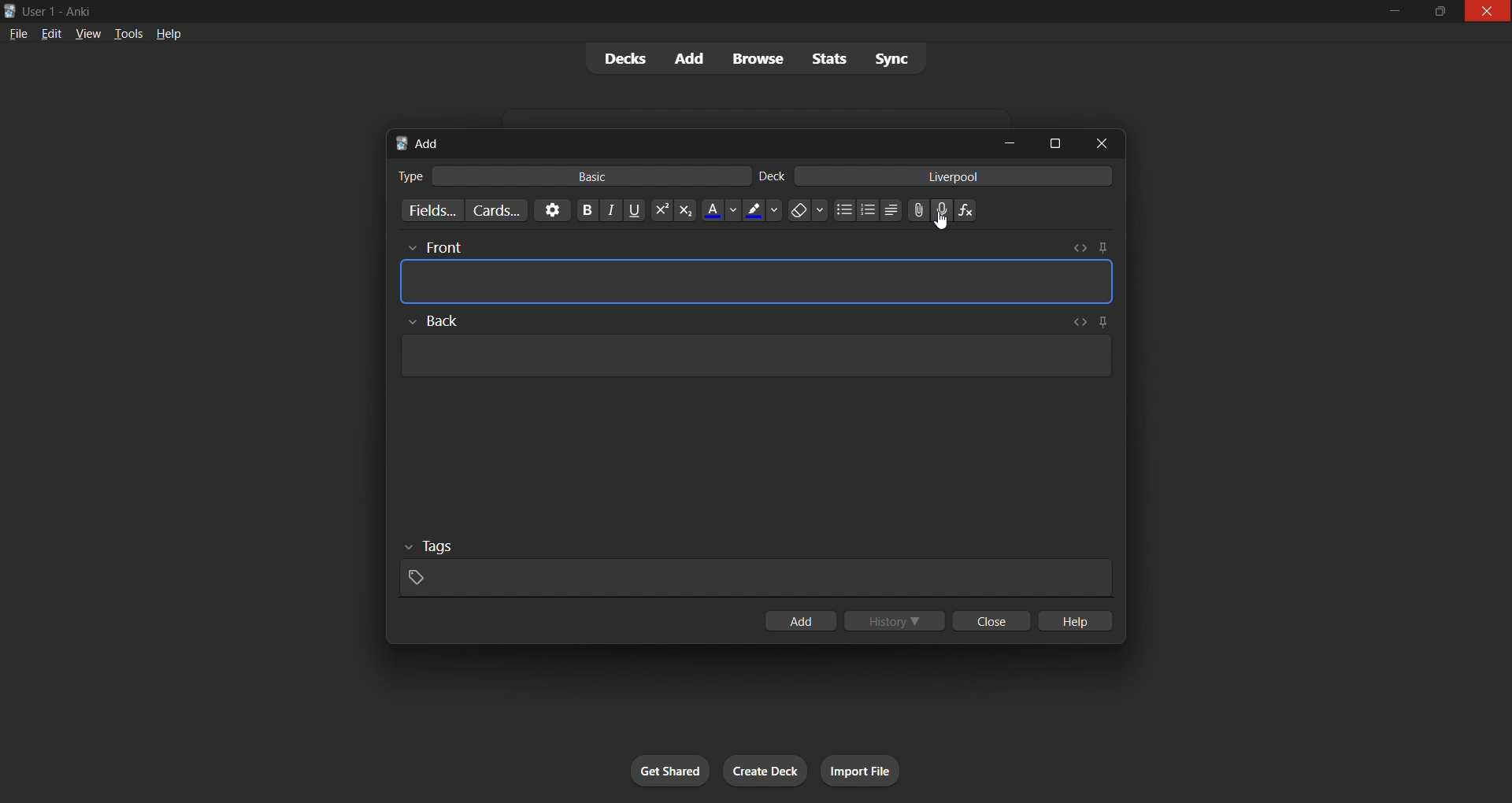 The height and width of the screenshot is (803, 1512). Describe the element at coordinates (752, 568) in the screenshot. I see `card tags input` at that location.